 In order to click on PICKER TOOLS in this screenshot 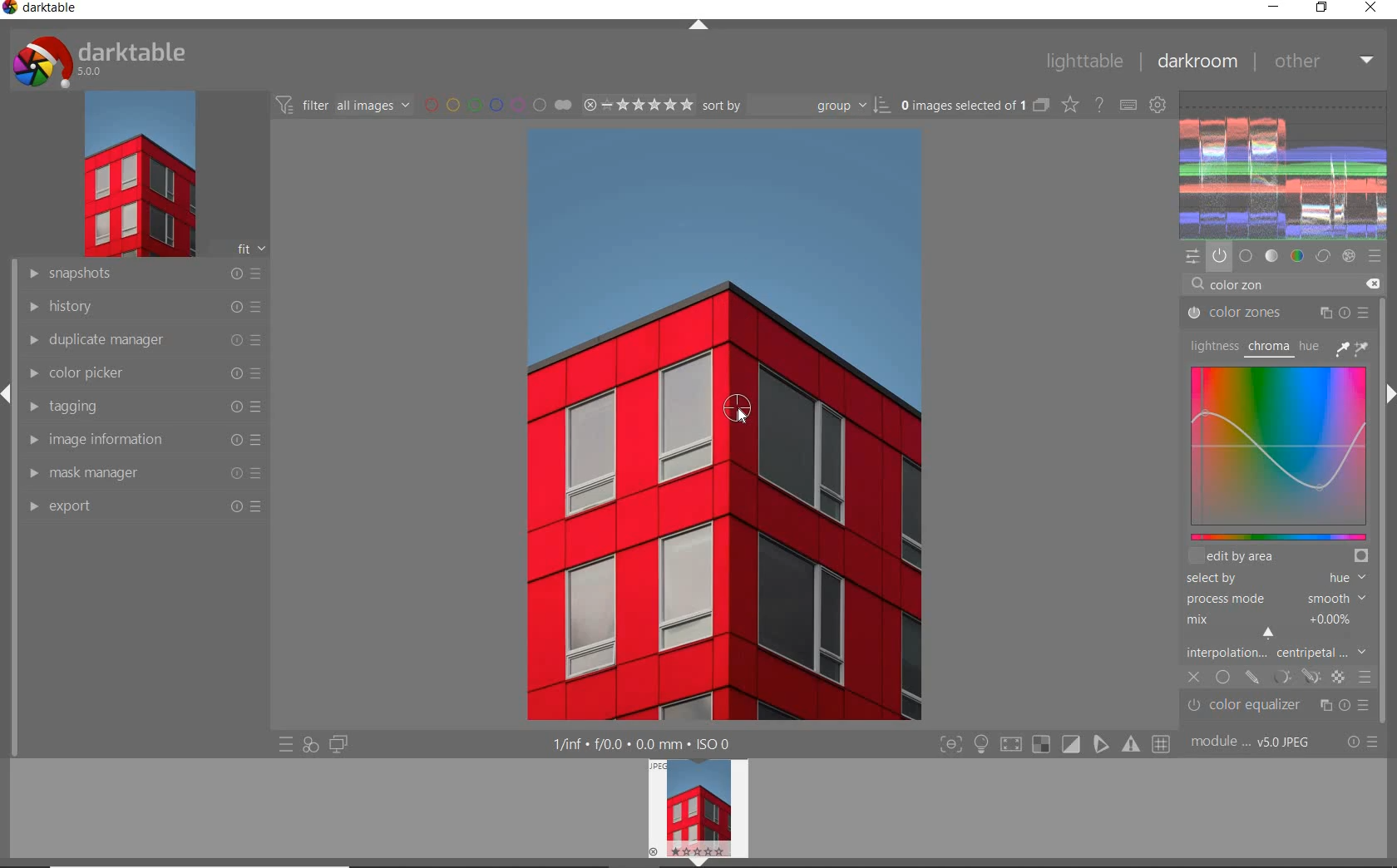, I will do `click(1354, 348)`.